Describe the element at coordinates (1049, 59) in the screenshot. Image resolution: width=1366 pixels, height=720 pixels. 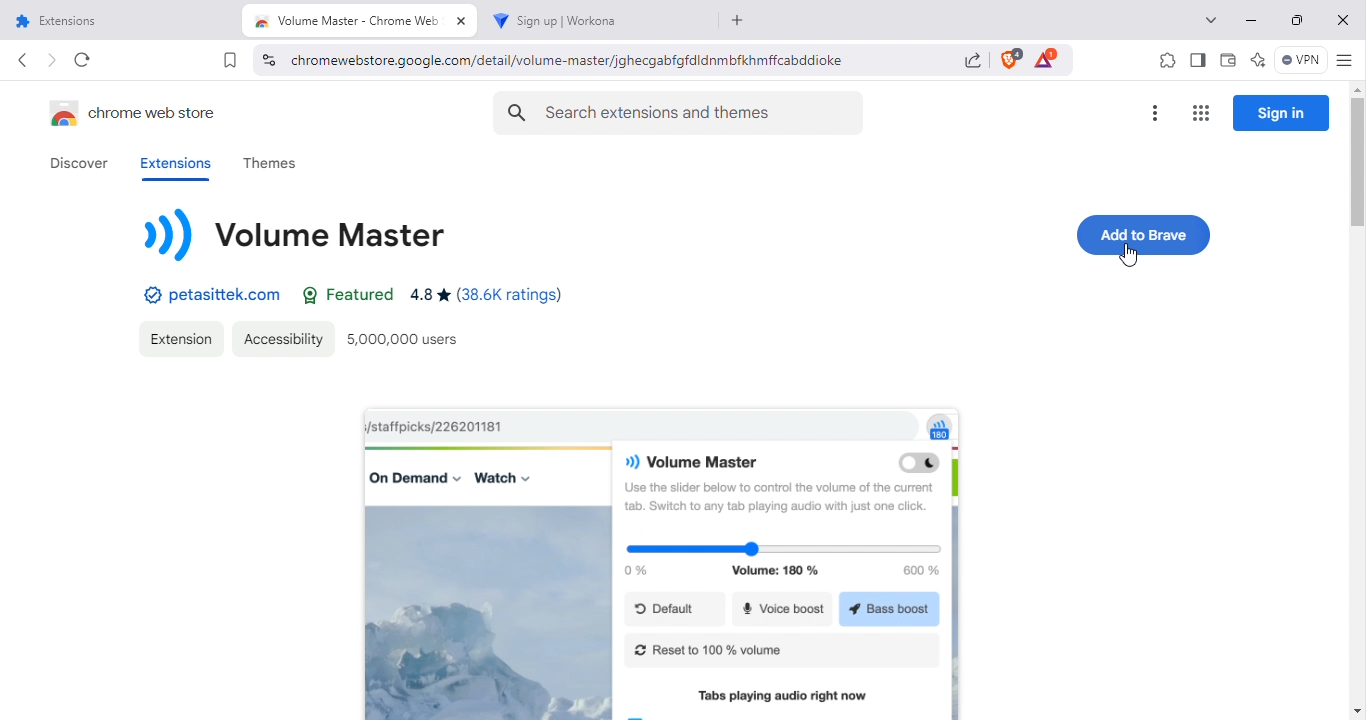
I see `Tokens` at that location.